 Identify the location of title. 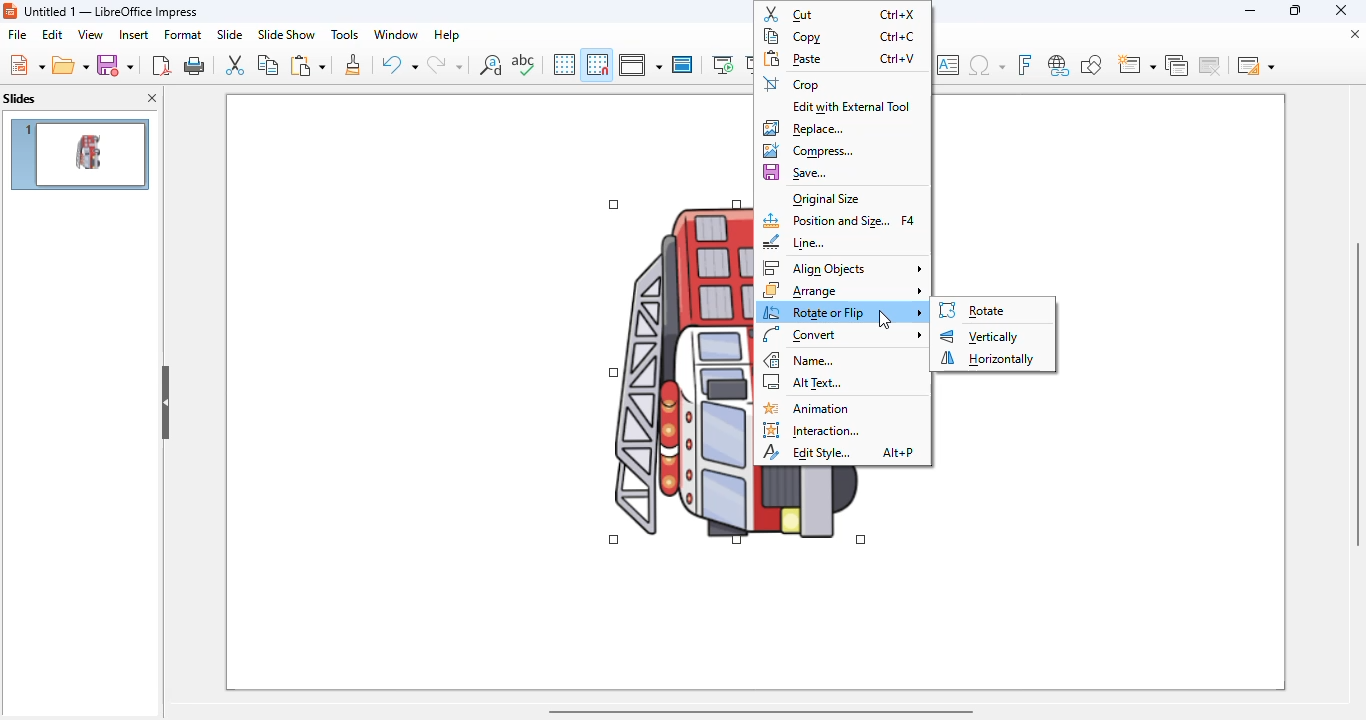
(111, 12).